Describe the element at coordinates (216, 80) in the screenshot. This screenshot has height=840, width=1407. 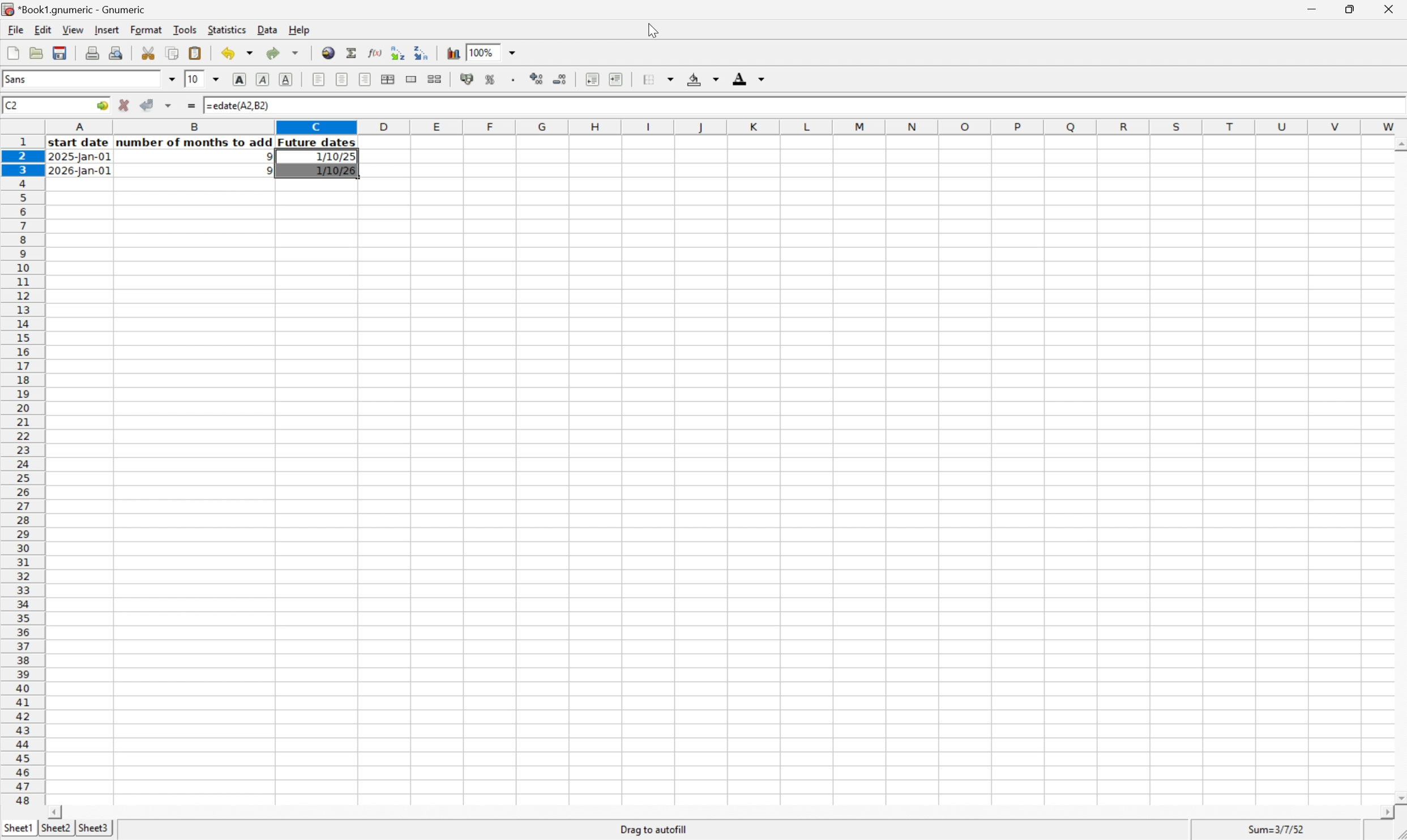
I see `Drop Down` at that location.